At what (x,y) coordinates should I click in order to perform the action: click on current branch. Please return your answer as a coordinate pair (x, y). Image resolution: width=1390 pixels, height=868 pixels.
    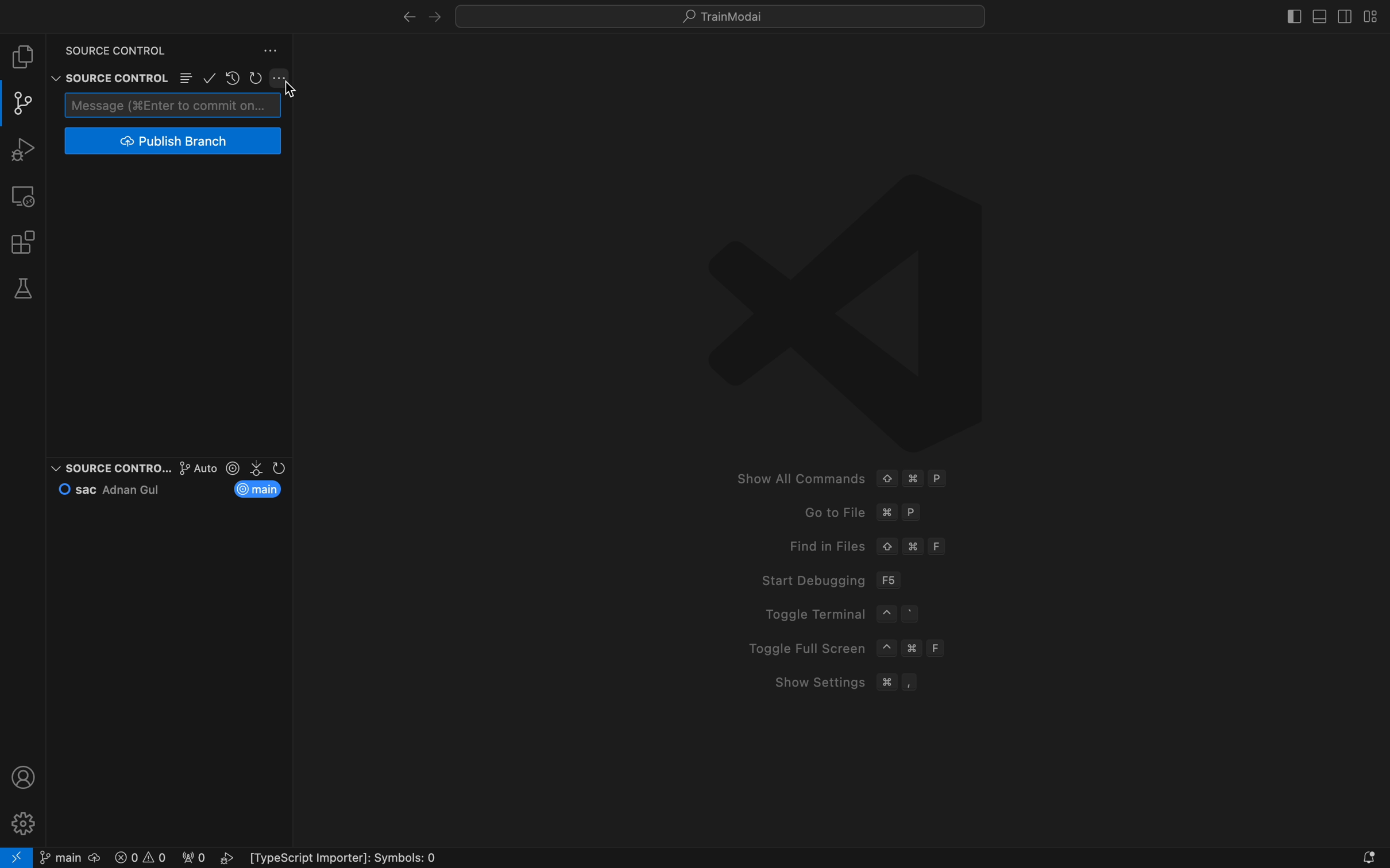
    Looking at the image, I should click on (261, 489).